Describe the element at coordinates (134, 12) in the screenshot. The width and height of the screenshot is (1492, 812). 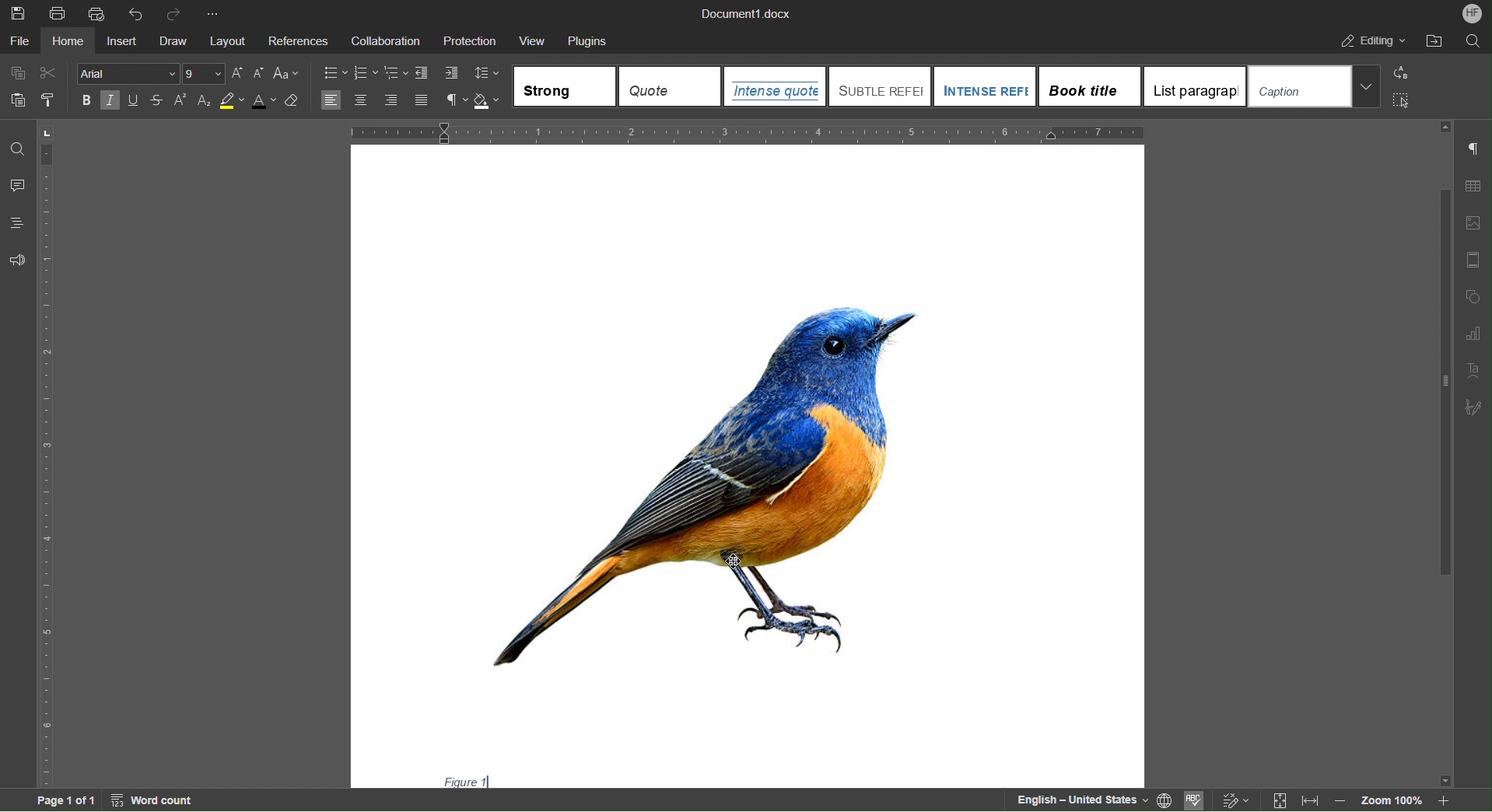
I see `Undo` at that location.